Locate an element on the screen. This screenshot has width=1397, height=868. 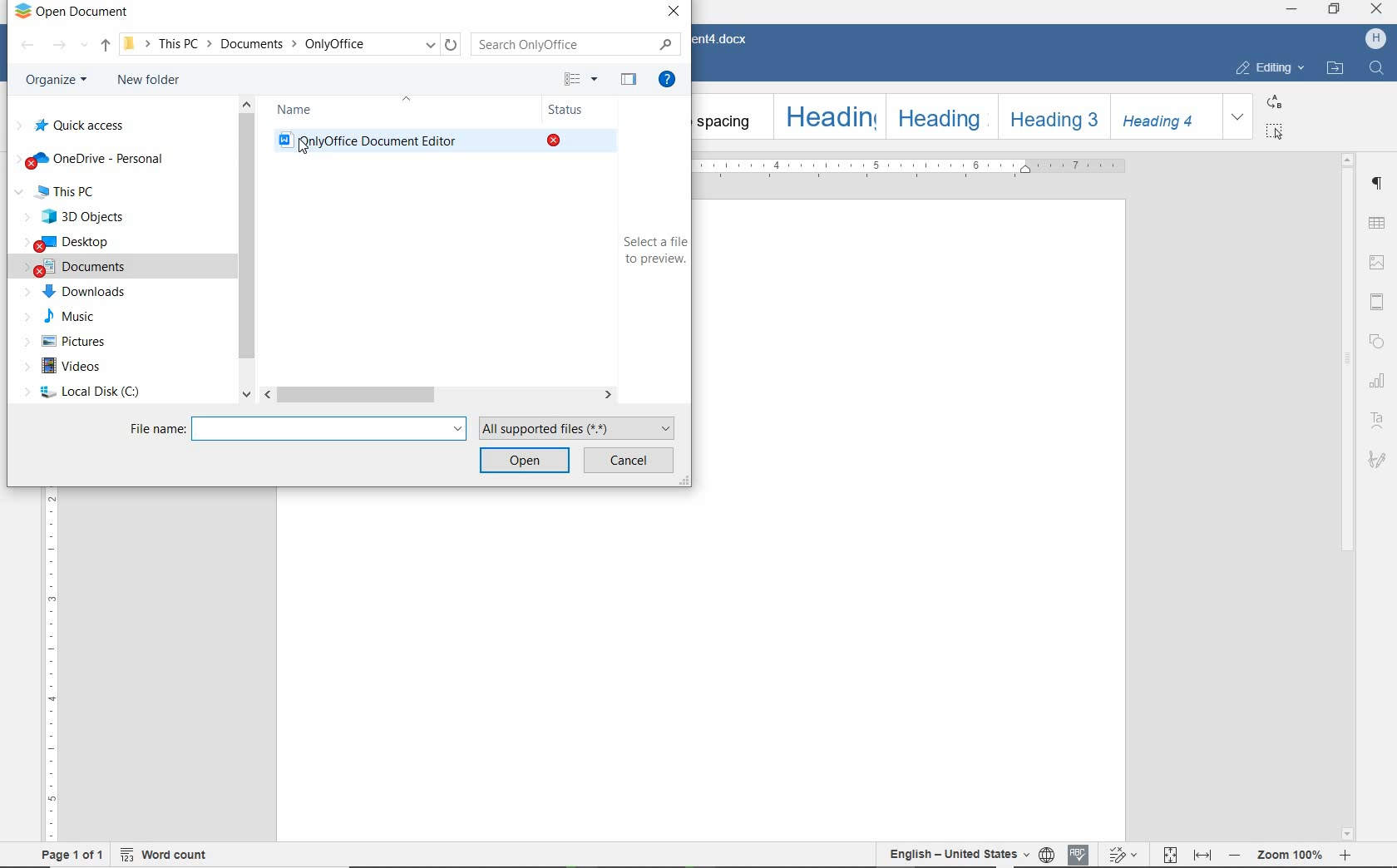
desktop is located at coordinates (72, 243).